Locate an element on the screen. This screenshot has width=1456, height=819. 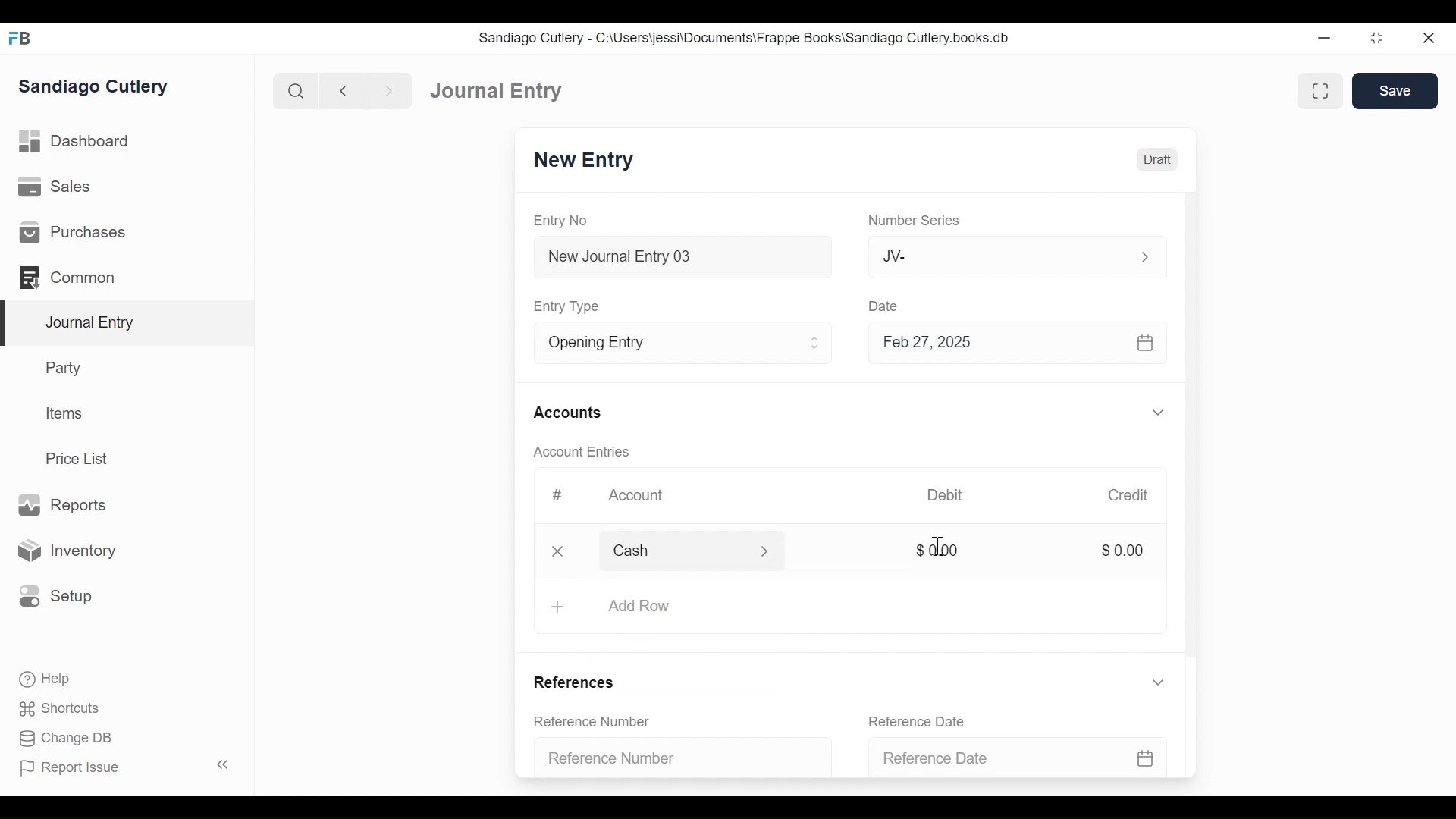
Frappe Books Desktop Icon is located at coordinates (20, 39).